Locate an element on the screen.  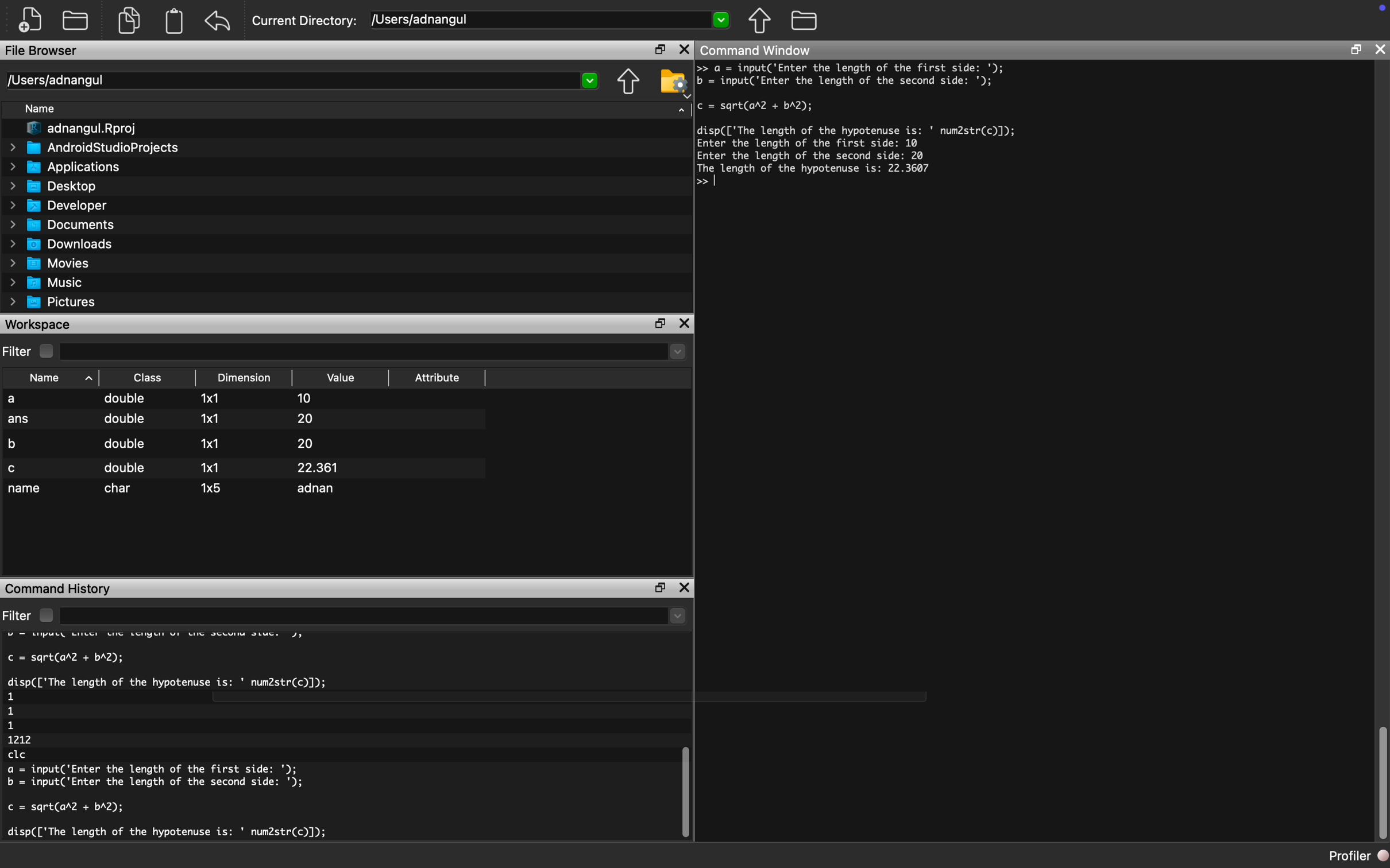
ans is located at coordinates (20, 421).